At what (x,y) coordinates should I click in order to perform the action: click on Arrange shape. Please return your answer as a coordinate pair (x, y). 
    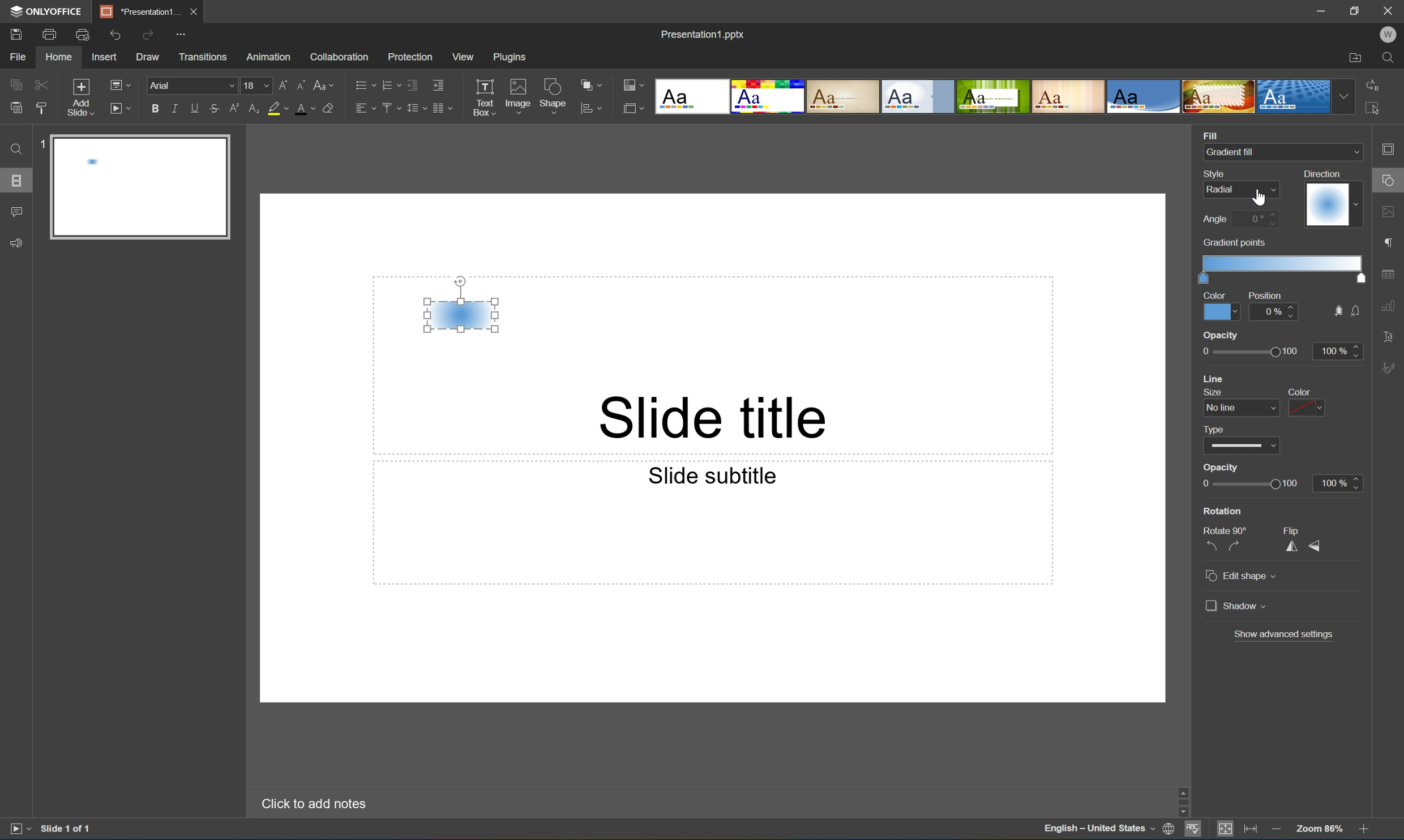
    Looking at the image, I should click on (594, 85).